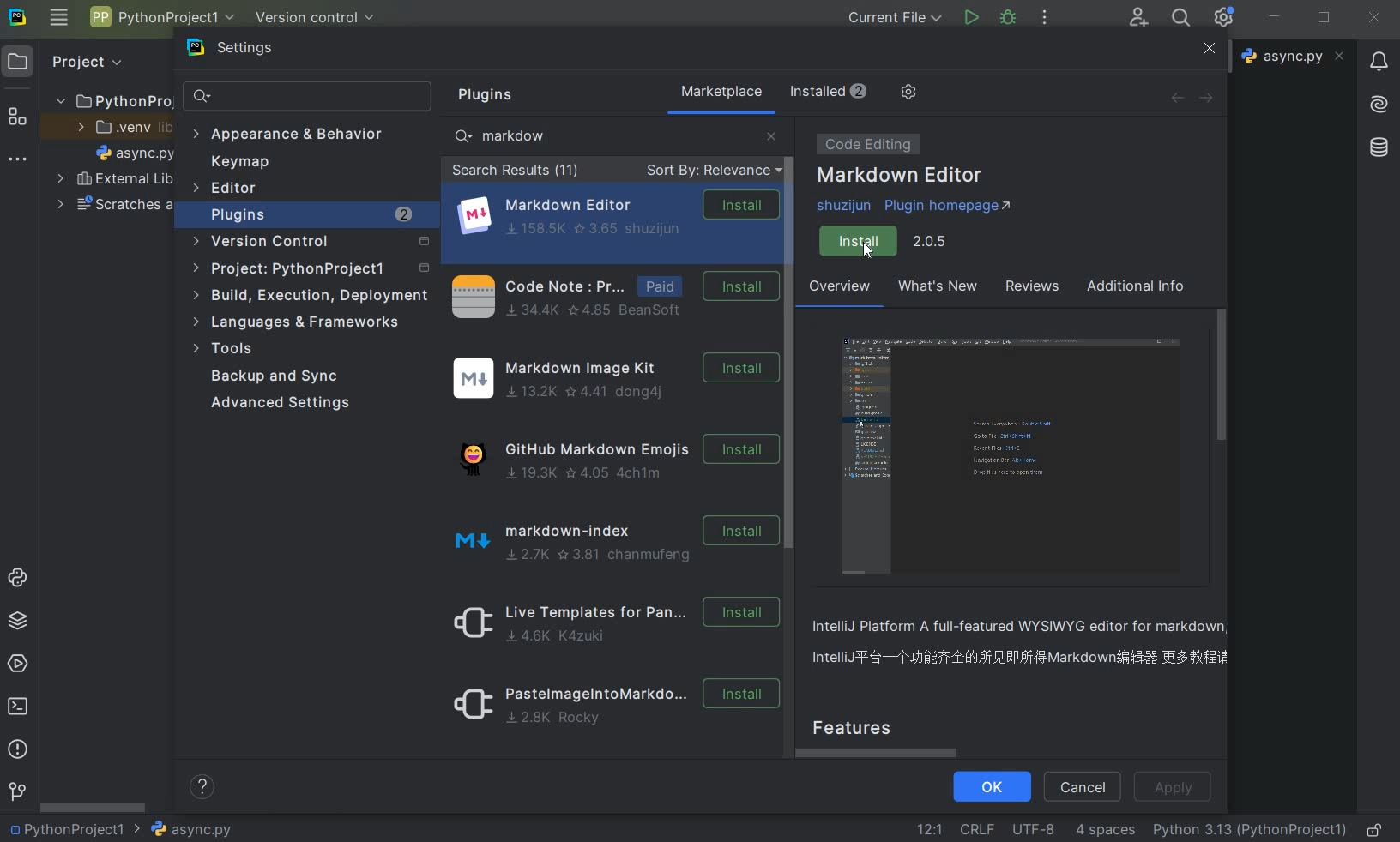 The height and width of the screenshot is (842, 1400). I want to click on manage repositories and more, so click(908, 93).